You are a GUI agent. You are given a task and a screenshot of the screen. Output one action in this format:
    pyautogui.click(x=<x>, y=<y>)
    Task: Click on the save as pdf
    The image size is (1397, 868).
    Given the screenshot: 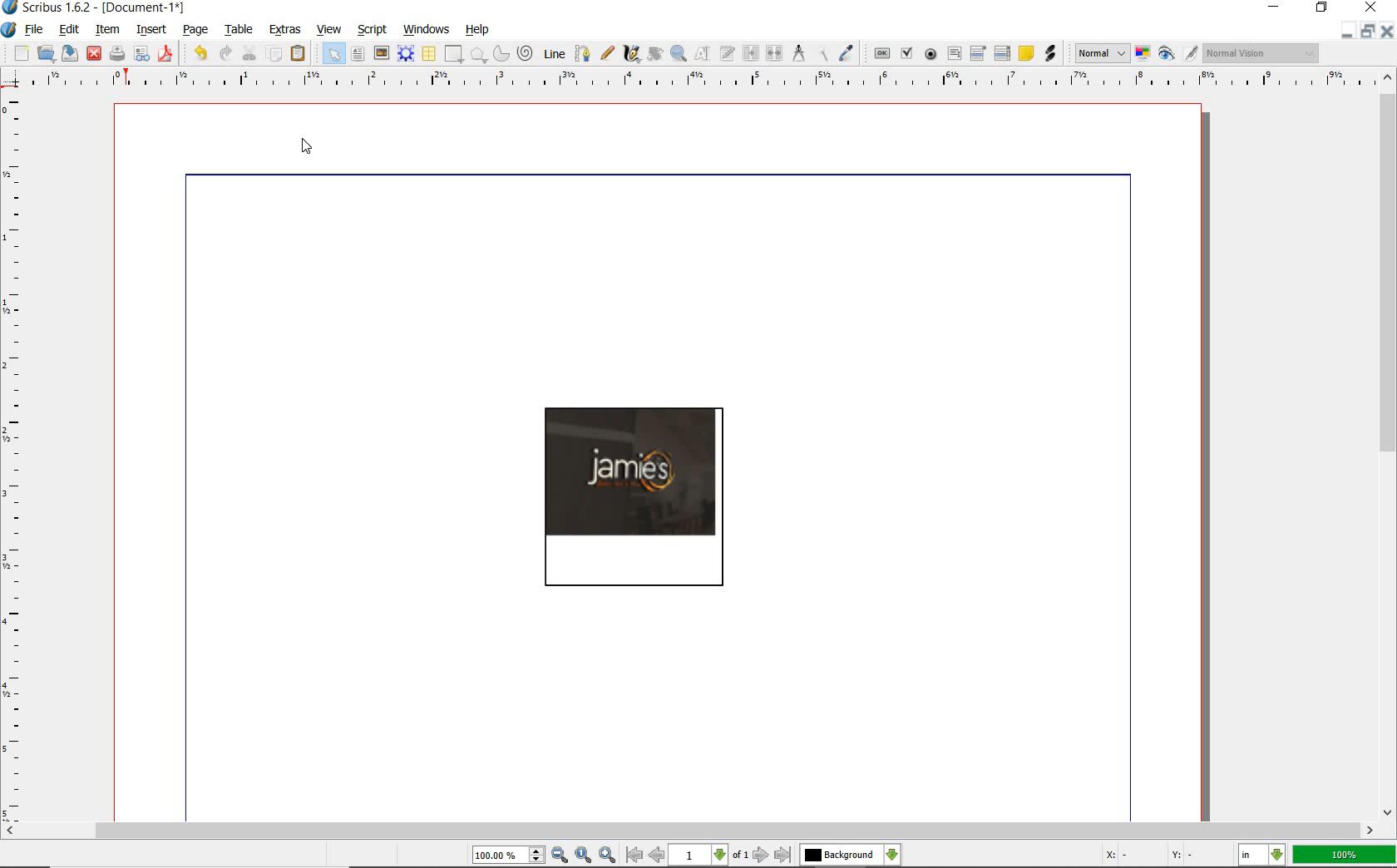 What is the action you would take?
    pyautogui.click(x=166, y=53)
    